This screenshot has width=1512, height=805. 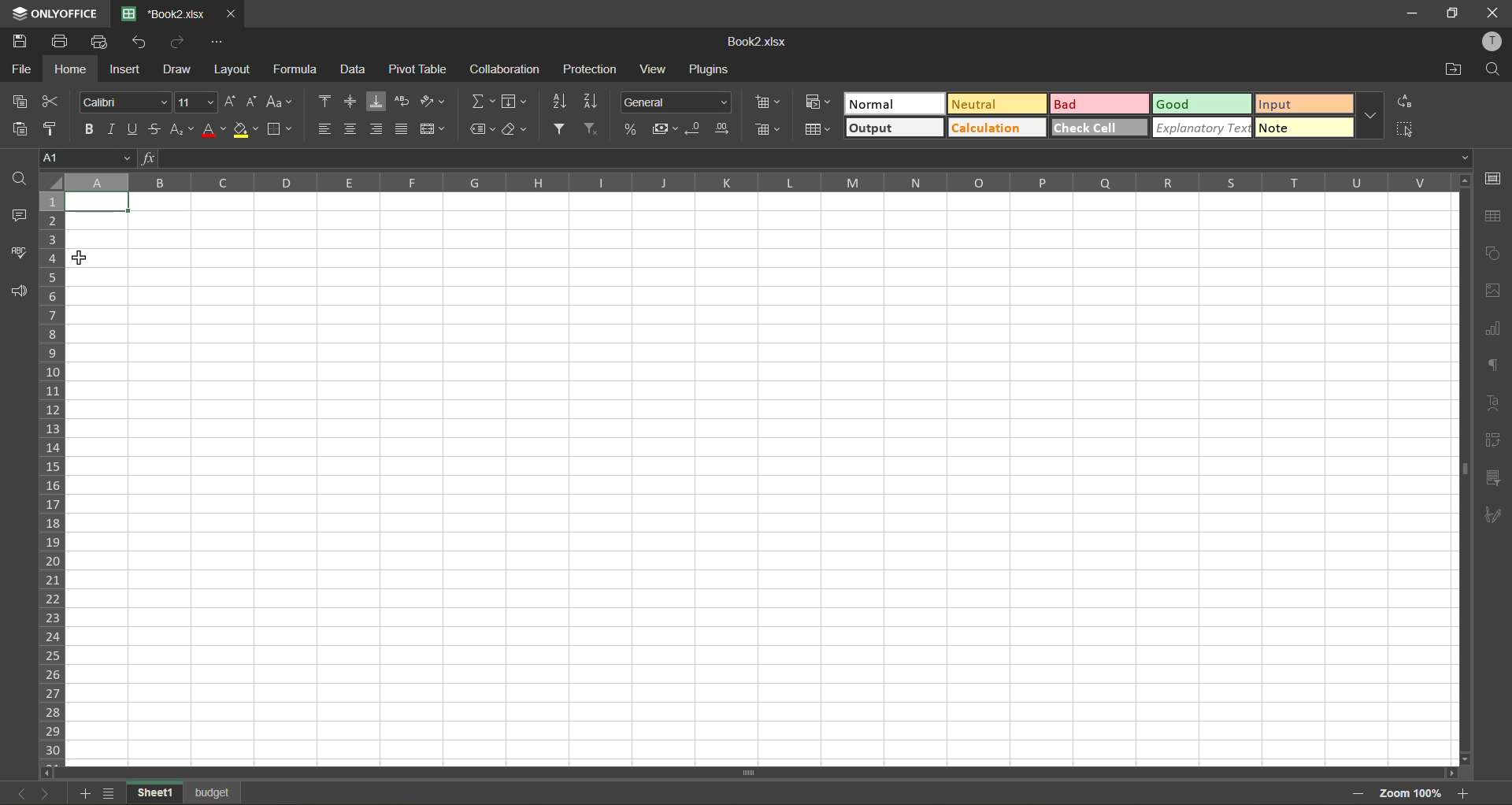 What do you see at coordinates (1496, 400) in the screenshot?
I see `text` at bounding box center [1496, 400].